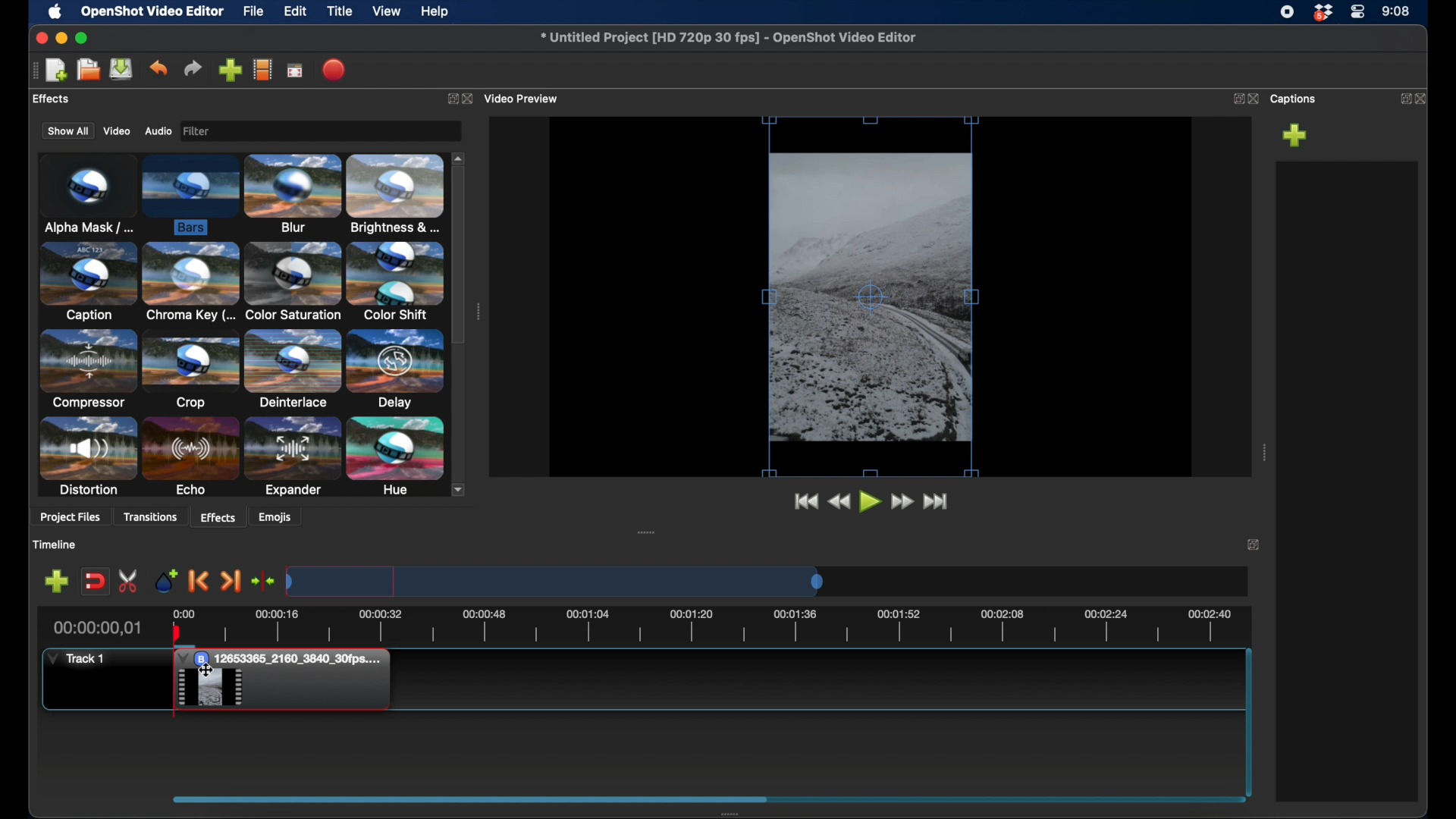 The width and height of the screenshot is (1456, 819). I want to click on jump to start, so click(803, 501).